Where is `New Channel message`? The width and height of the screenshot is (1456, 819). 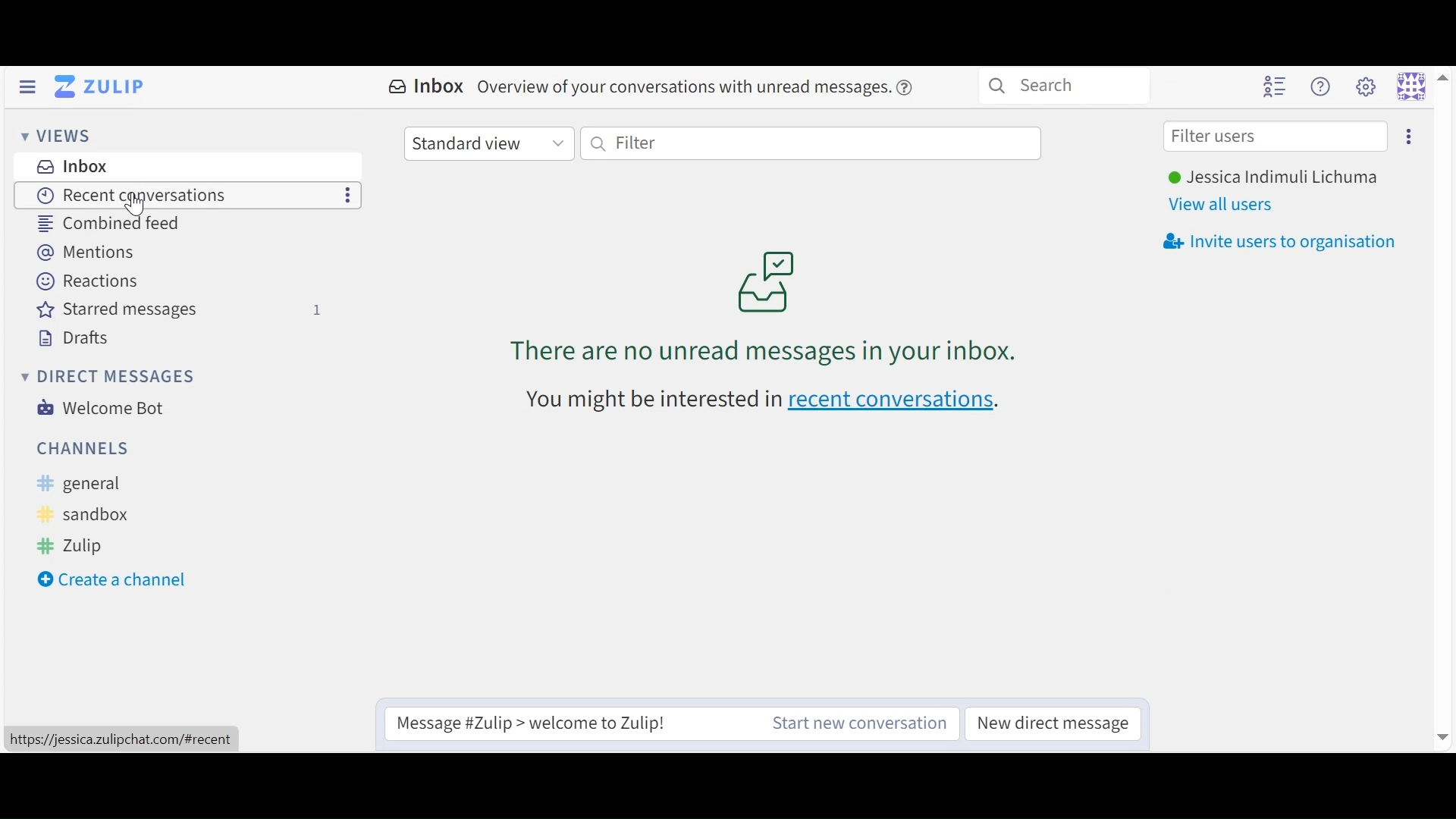 New Channel message is located at coordinates (859, 723).